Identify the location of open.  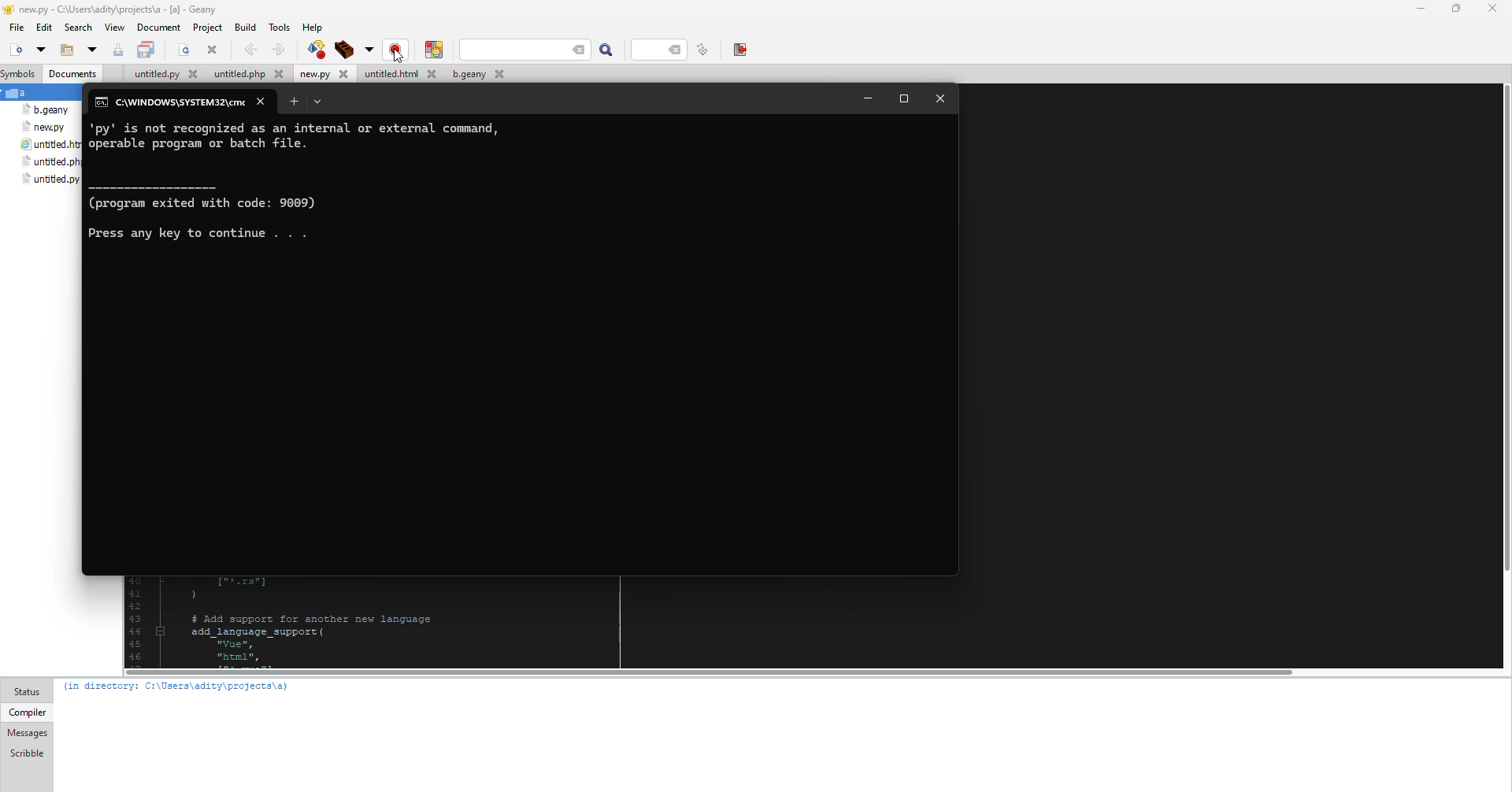
(90, 50).